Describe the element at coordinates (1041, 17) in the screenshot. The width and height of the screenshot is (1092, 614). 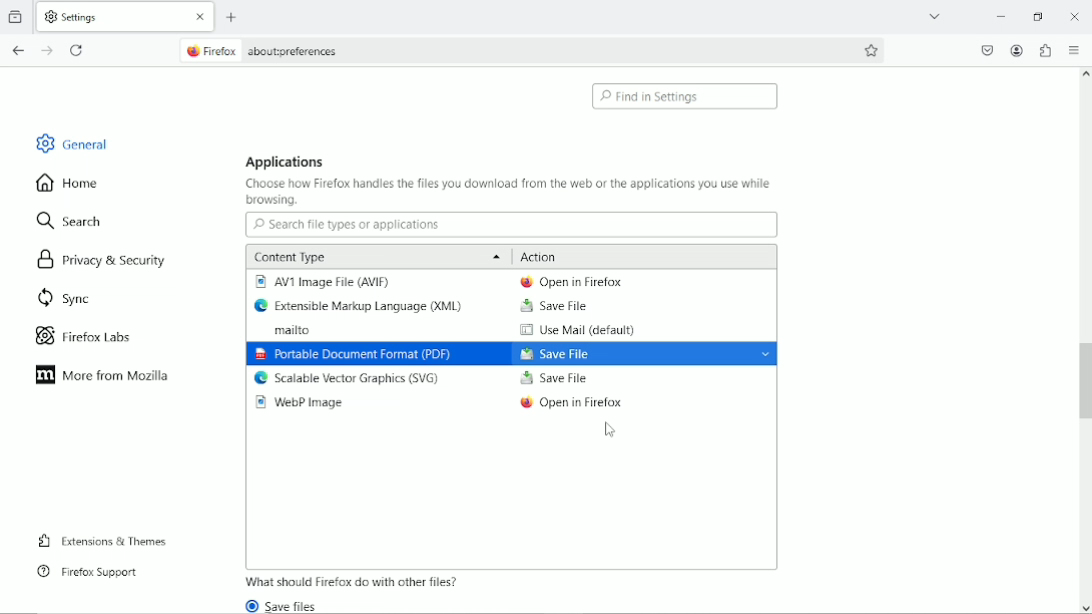
I see `Restore down` at that location.